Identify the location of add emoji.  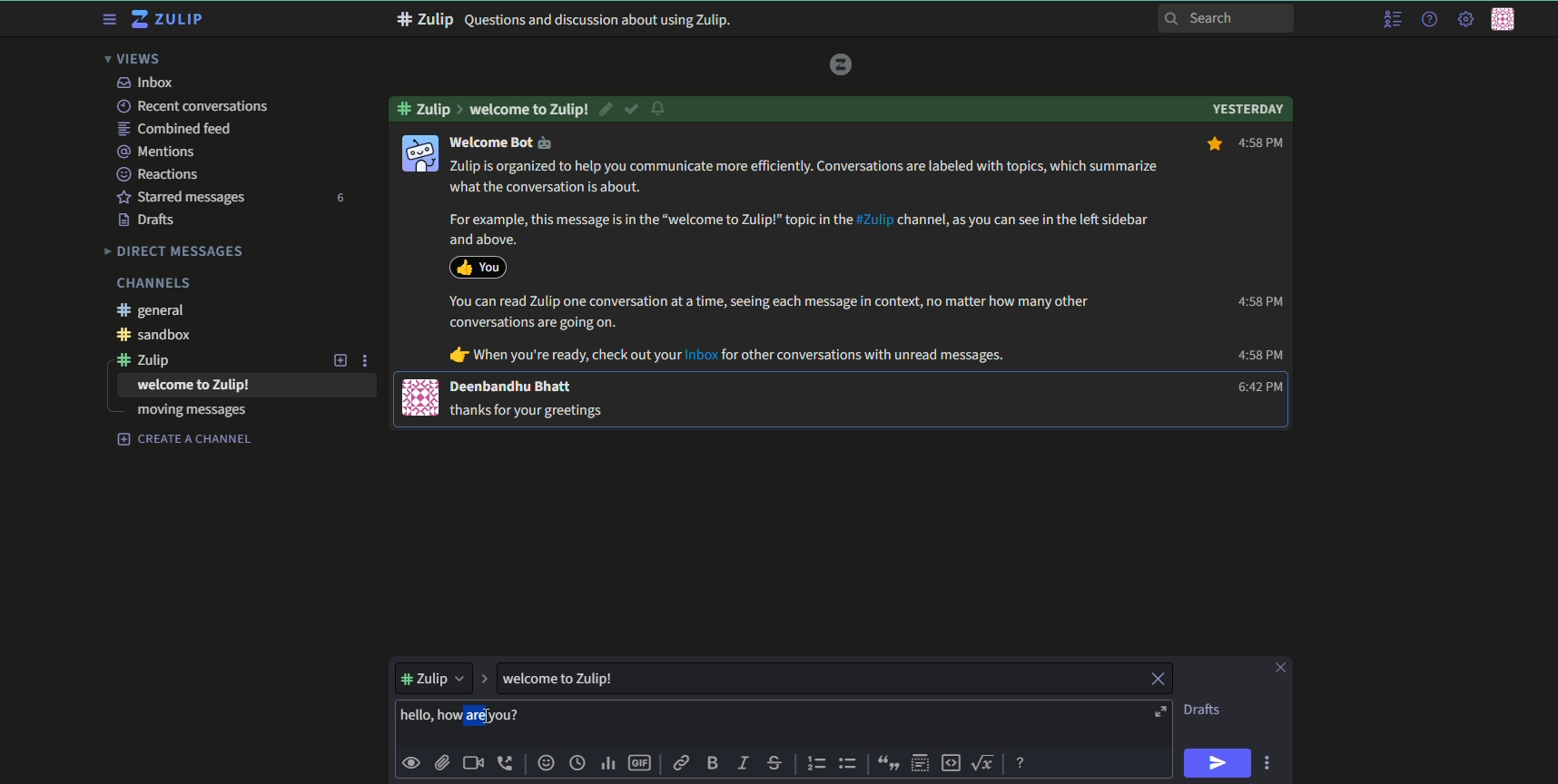
(545, 763).